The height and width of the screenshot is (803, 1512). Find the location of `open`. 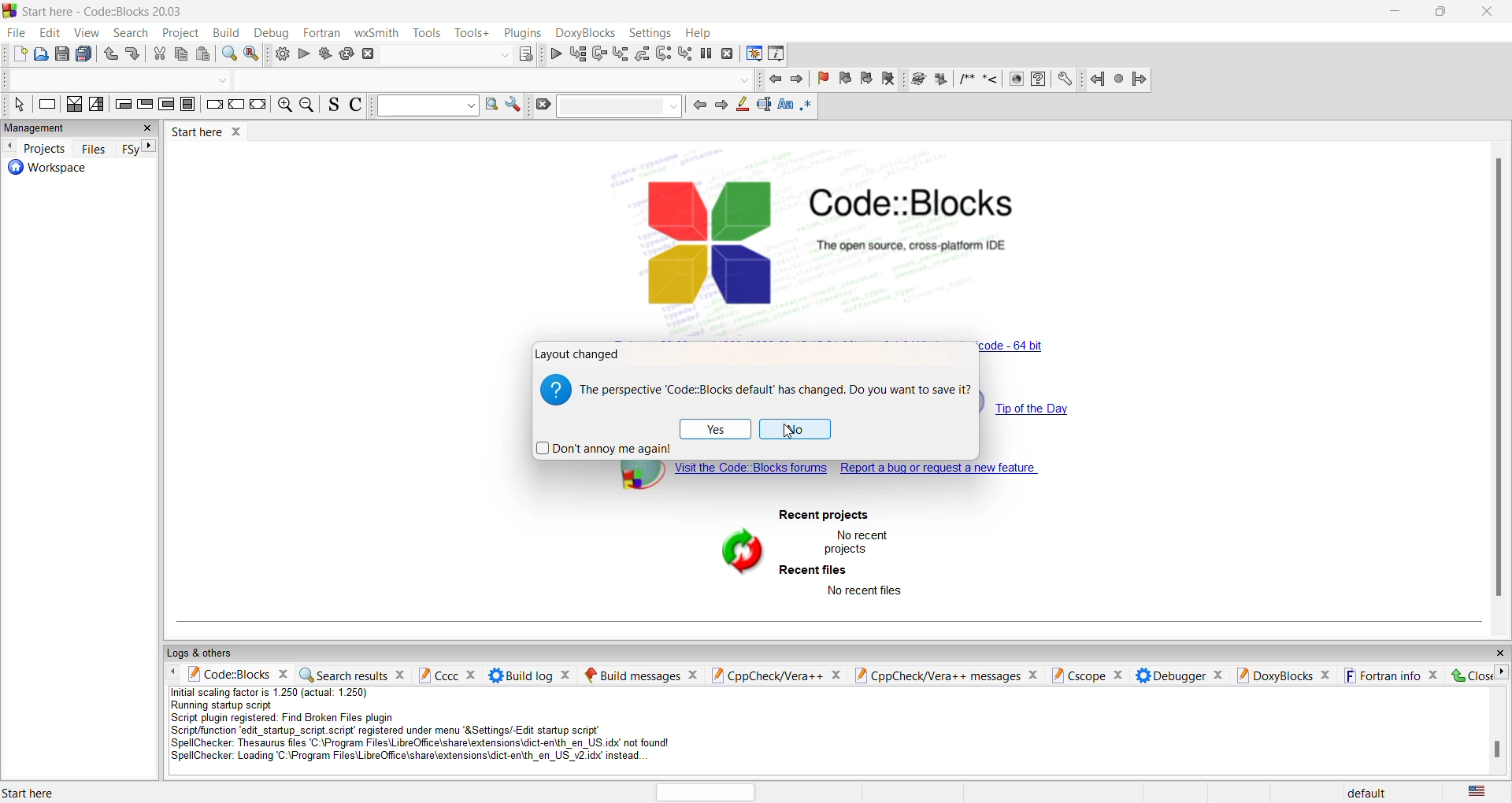

open is located at coordinates (42, 54).